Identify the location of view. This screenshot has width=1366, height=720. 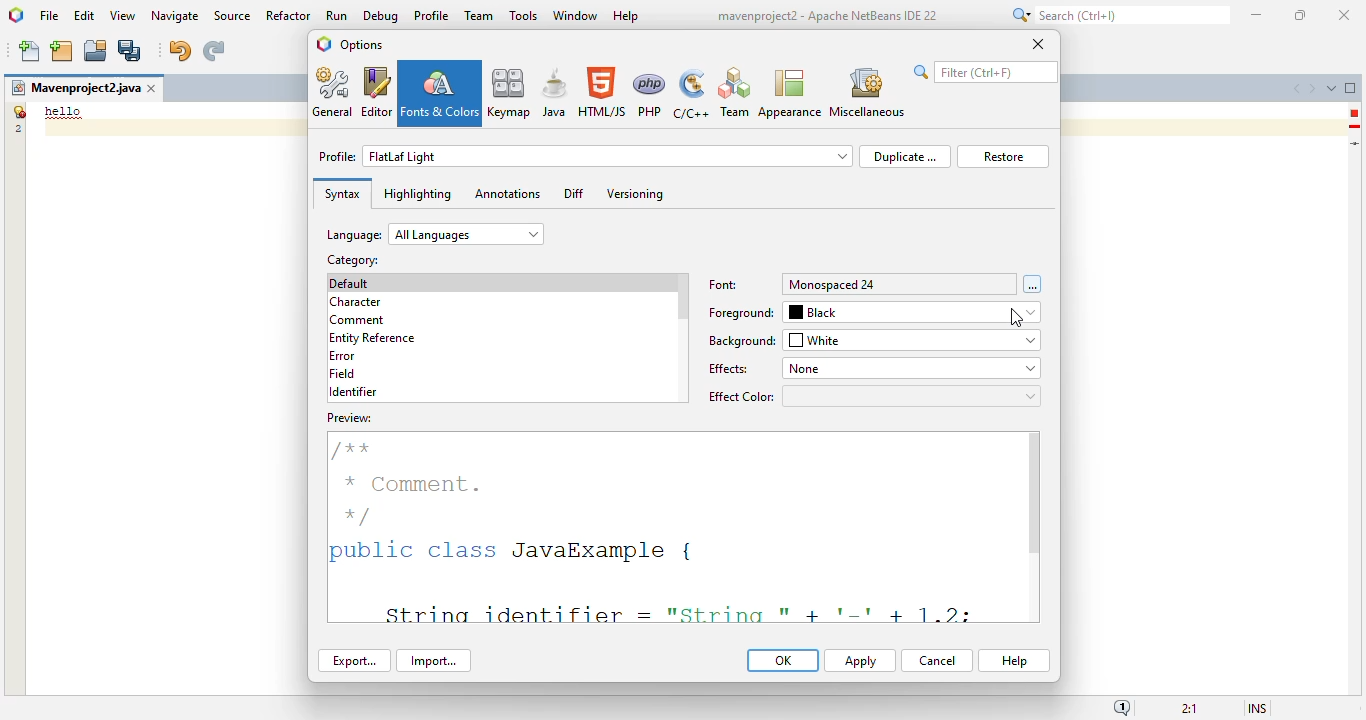
(123, 16).